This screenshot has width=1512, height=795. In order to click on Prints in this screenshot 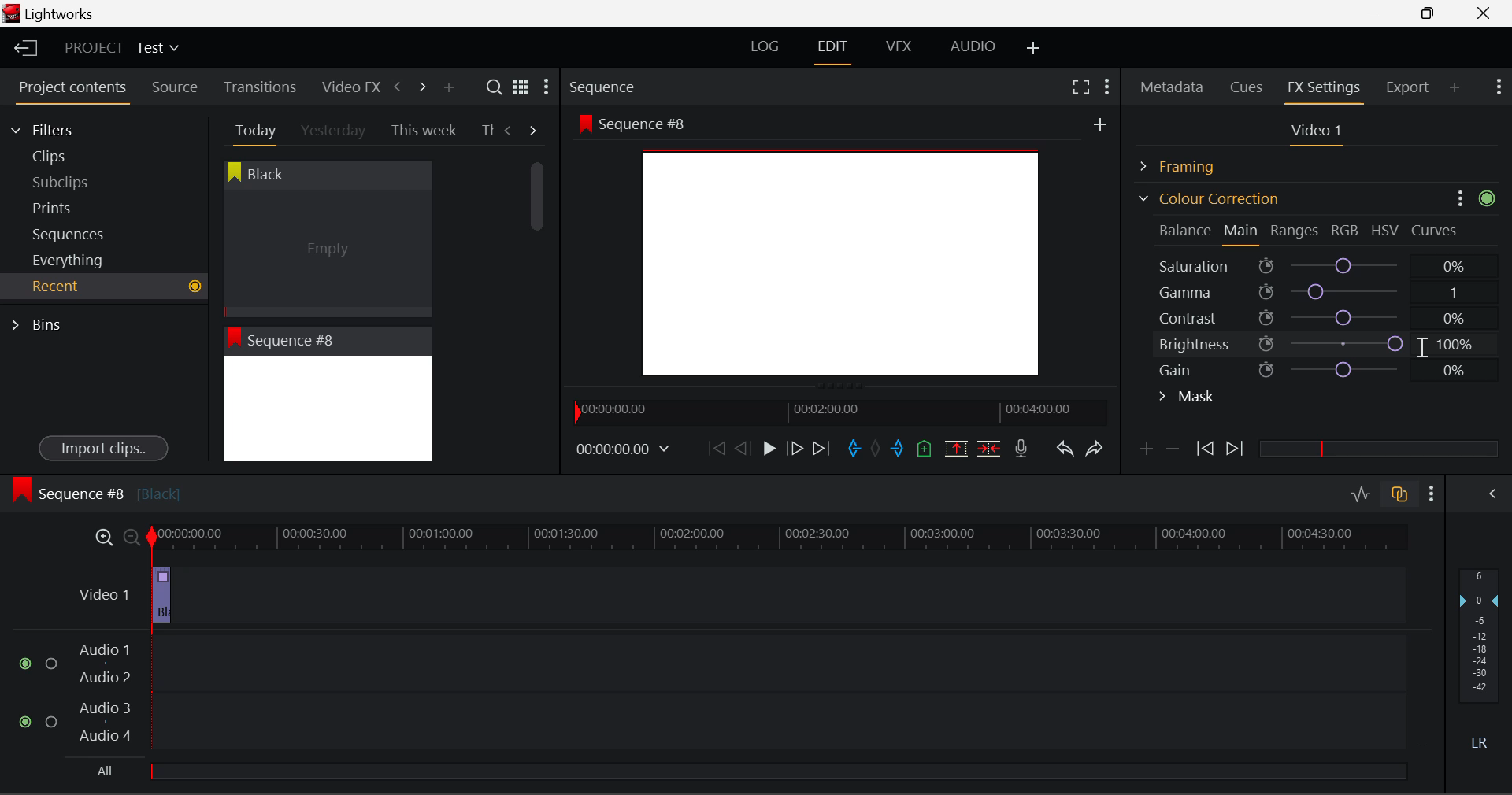, I will do `click(74, 205)`.